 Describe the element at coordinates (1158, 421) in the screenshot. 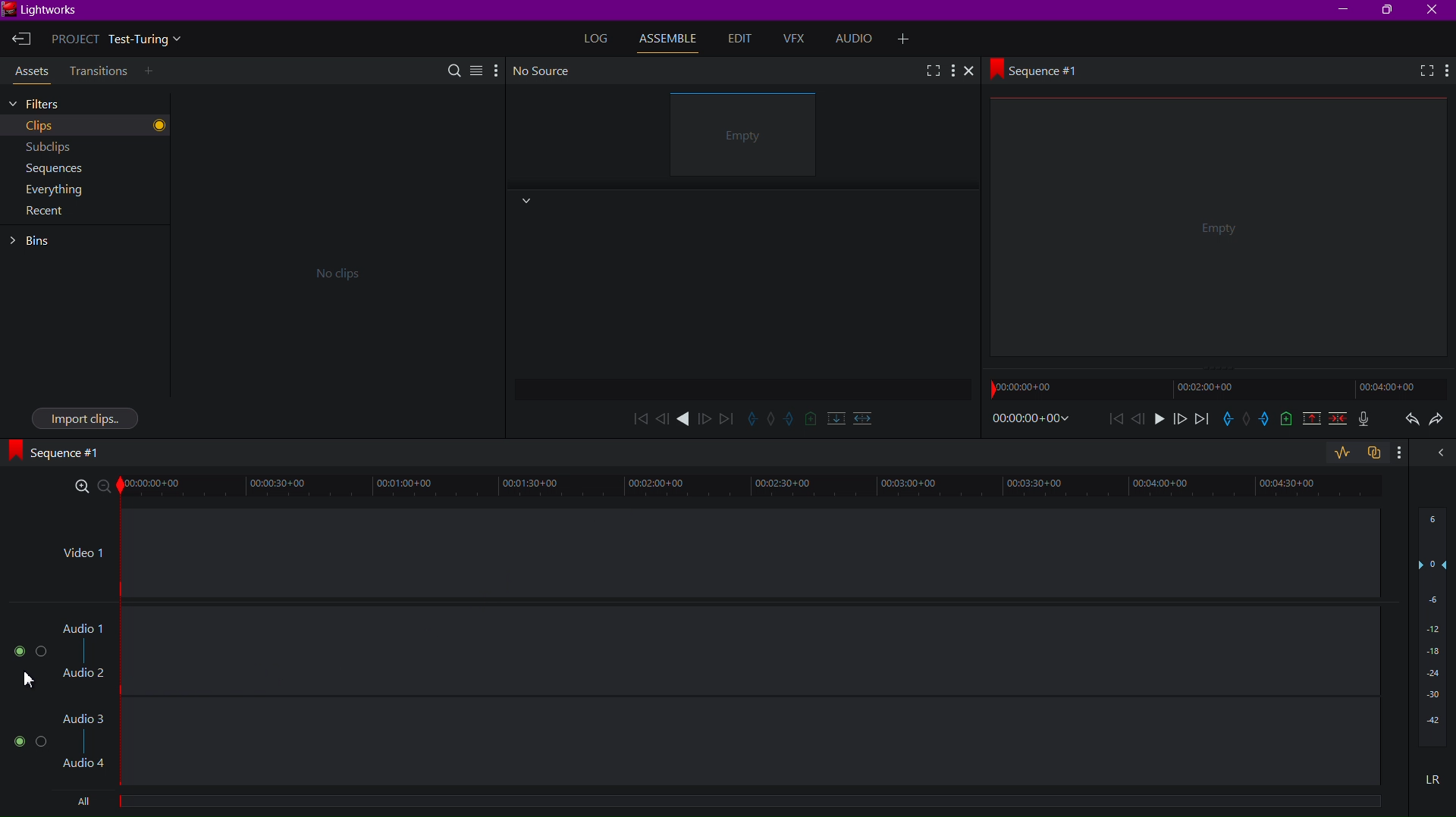

I see `play` at that location.